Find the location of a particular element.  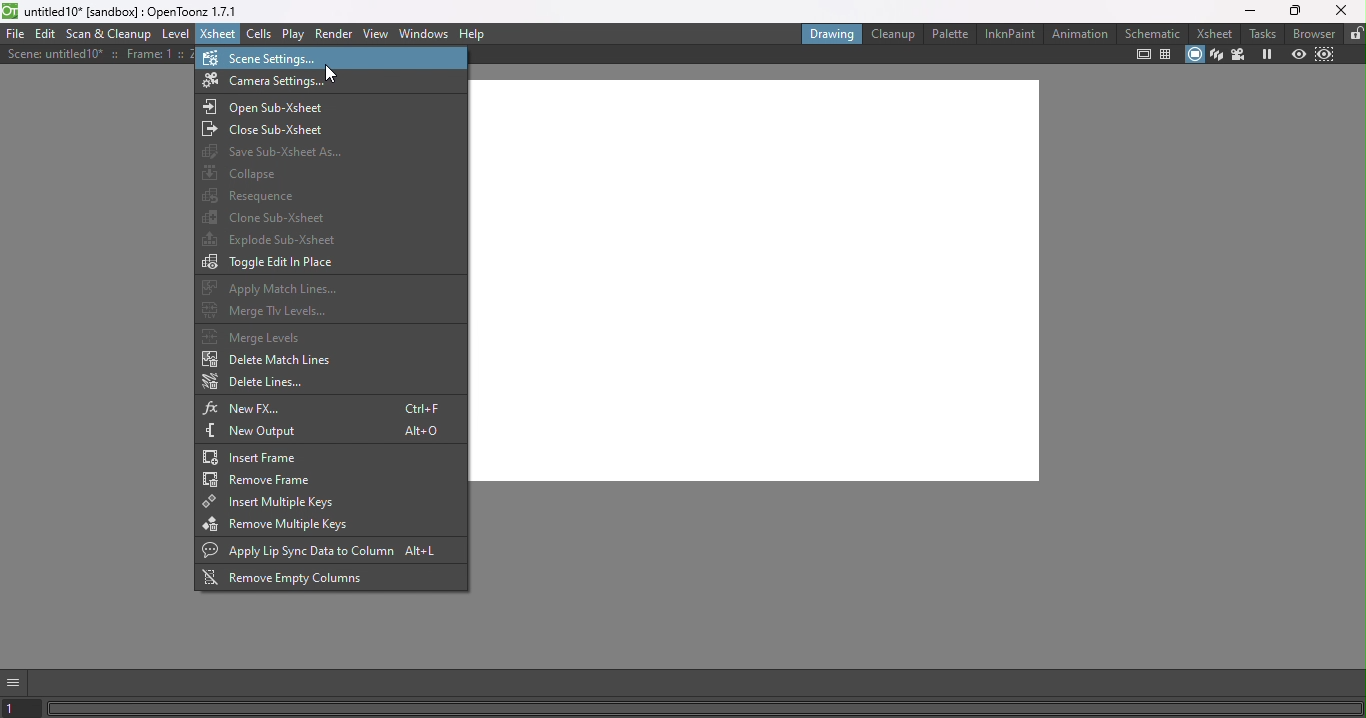

Close Sub-Xsheet is located at coordinates (267, 127).